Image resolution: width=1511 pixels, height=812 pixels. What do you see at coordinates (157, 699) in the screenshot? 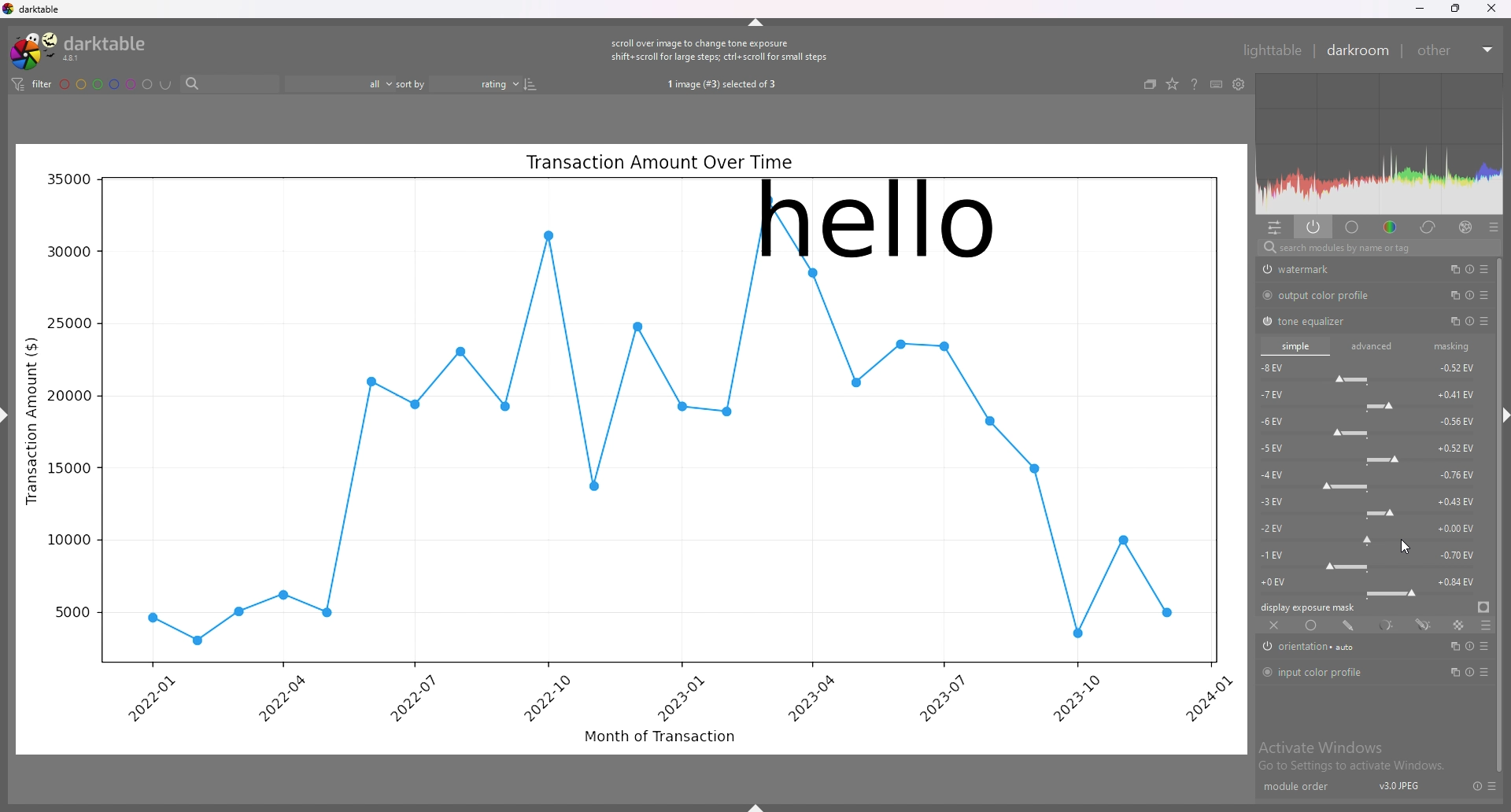
I see `2022-01` at bounding box center [157, 699].